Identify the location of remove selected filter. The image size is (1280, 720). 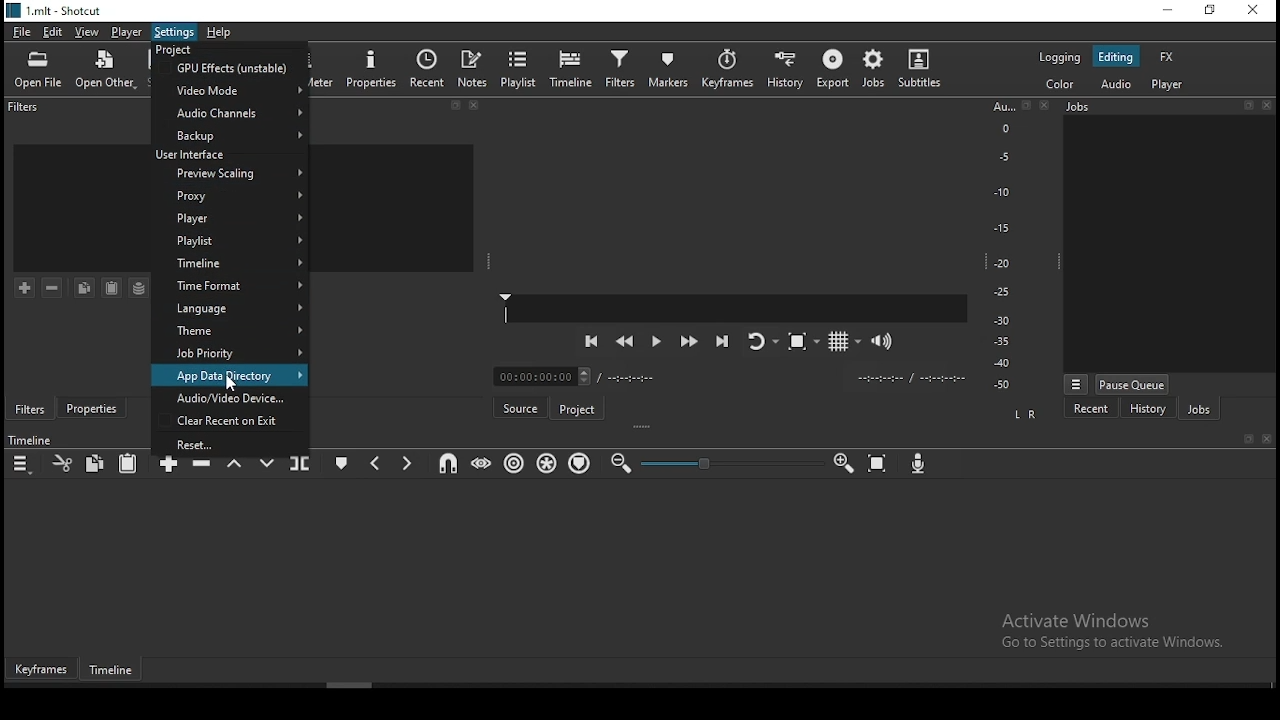
(51, 287).